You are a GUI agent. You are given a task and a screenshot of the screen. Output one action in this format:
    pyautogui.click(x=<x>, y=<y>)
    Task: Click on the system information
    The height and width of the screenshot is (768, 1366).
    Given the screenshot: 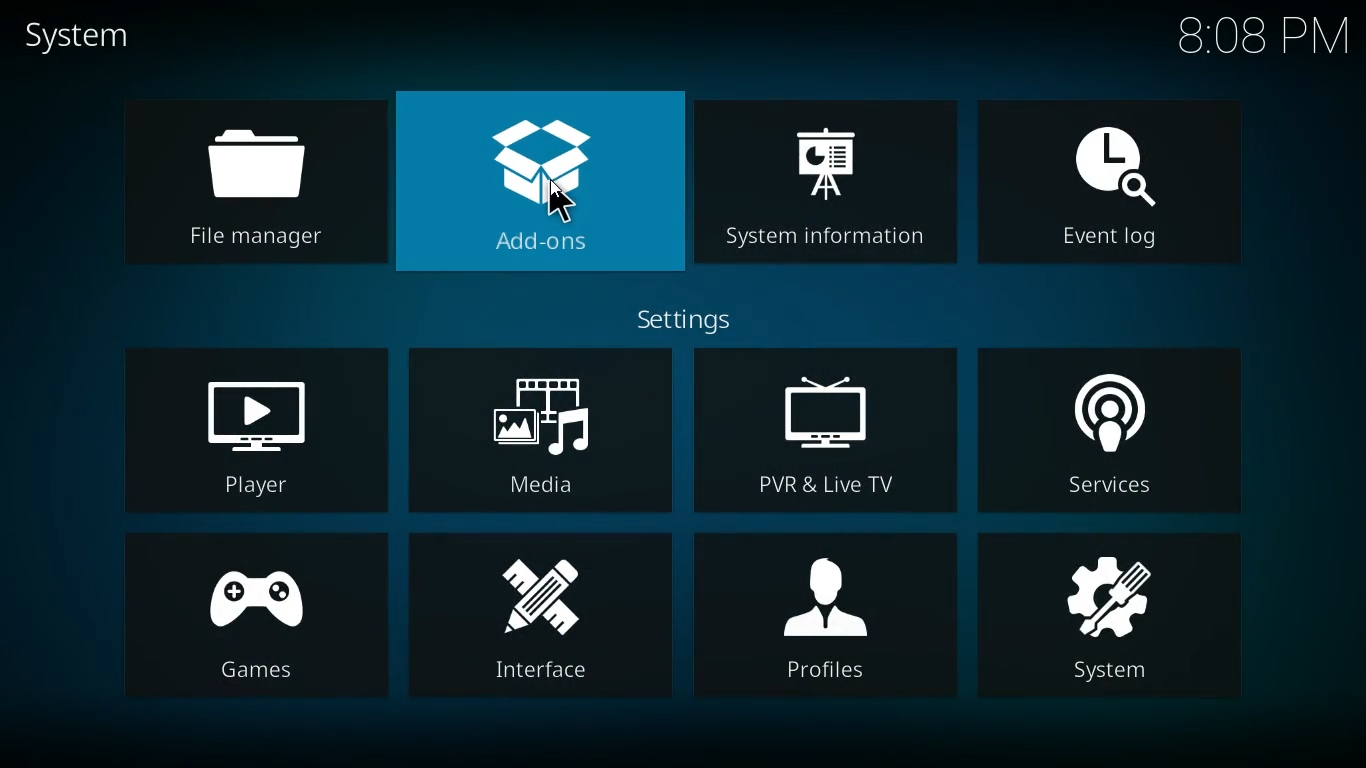 What is the action you would take?
    pyautogui.click(x=826, y=182)
    